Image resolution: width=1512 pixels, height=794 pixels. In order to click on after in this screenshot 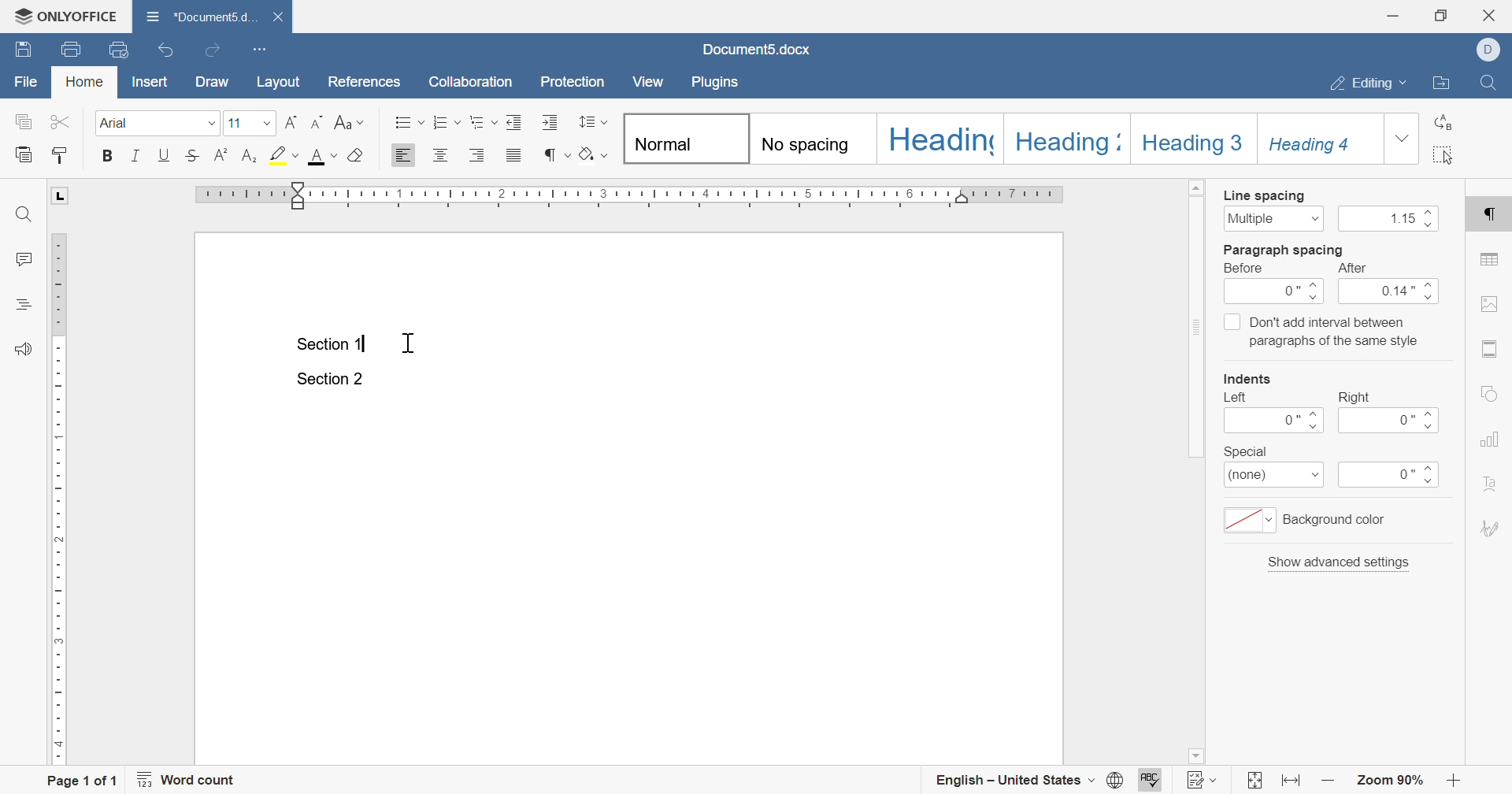, I will do `click(1351, 269)`.